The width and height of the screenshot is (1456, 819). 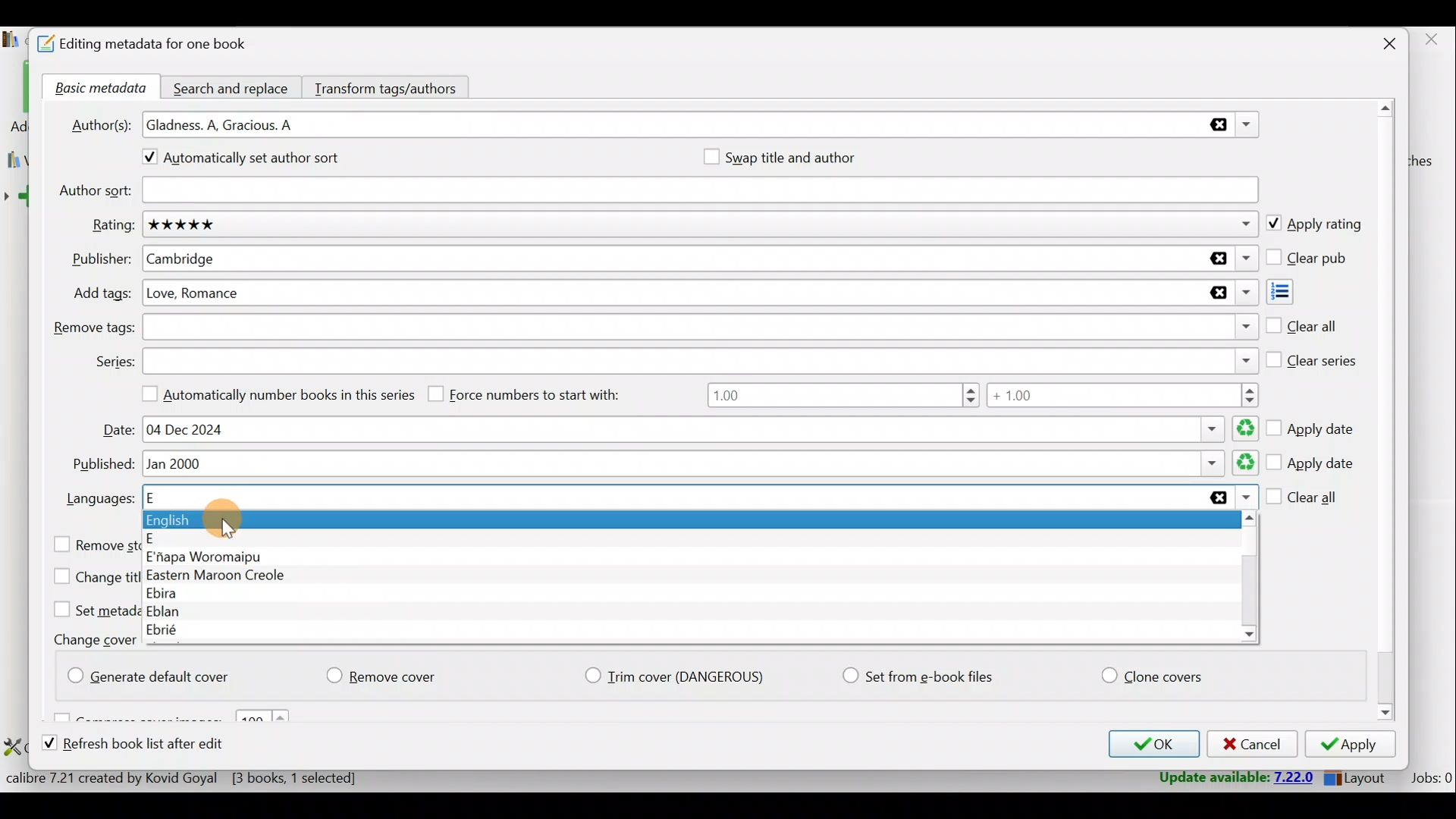 I want to click on Languages, so click(x=700, y=497).